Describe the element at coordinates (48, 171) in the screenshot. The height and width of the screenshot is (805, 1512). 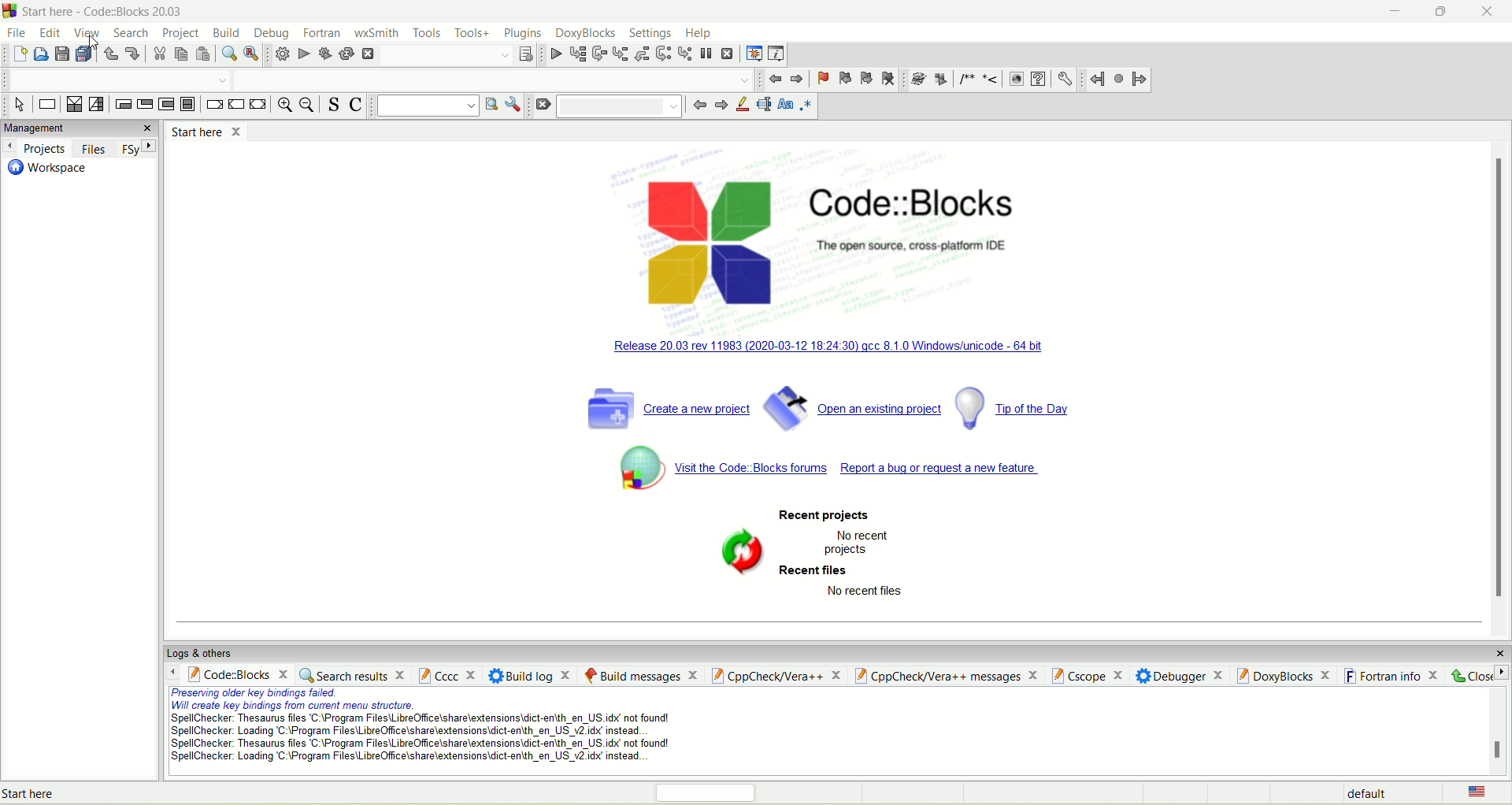
I see `workspace` at that location.